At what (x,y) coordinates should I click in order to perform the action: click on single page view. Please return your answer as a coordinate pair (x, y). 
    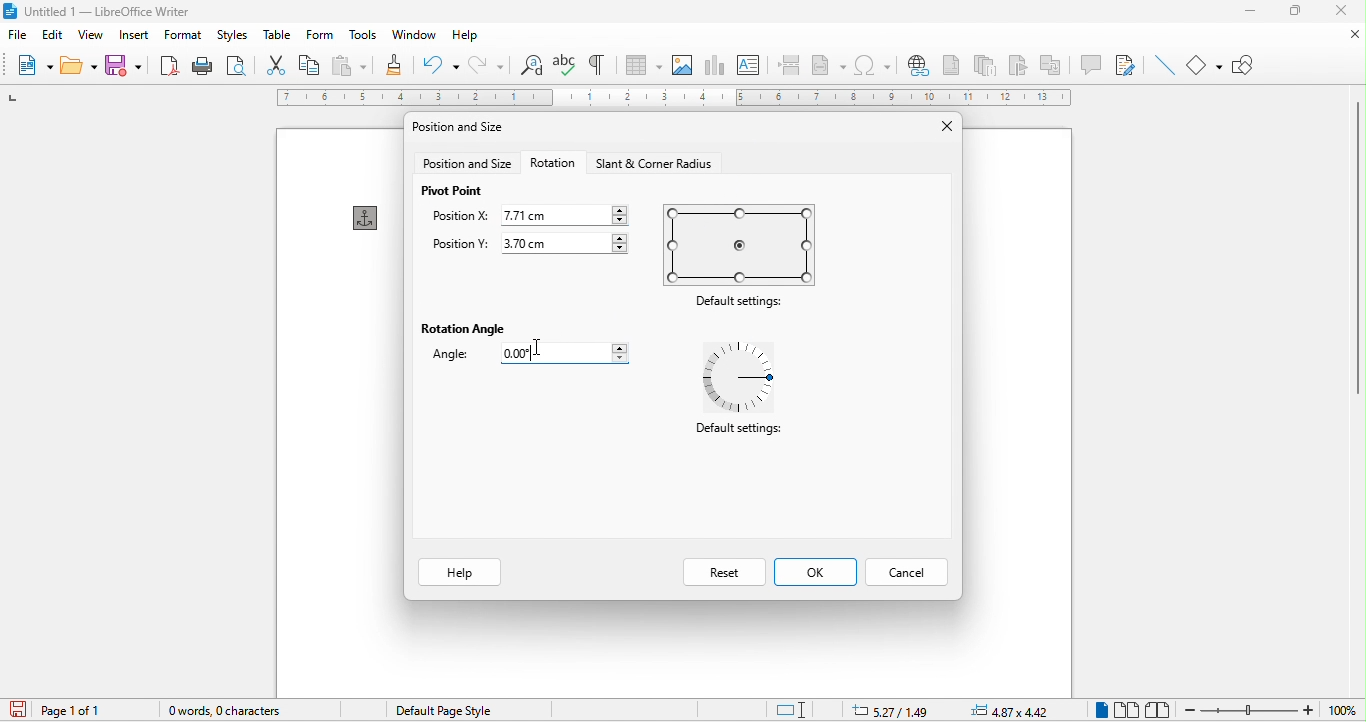
    Looking at the image, I should click on (1102, 712).